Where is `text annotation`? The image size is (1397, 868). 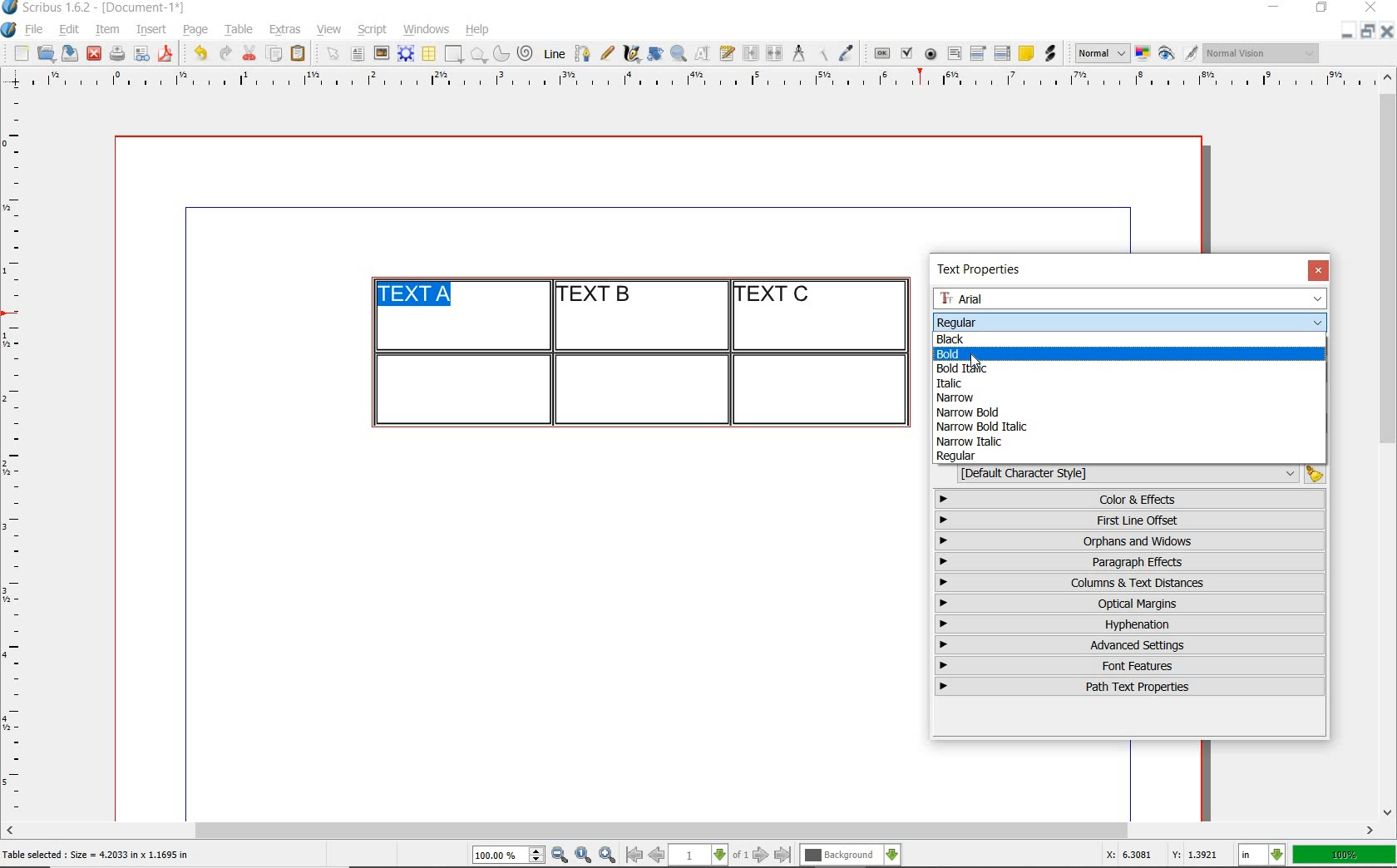 text annotation is located at coordinates (1025, 54).